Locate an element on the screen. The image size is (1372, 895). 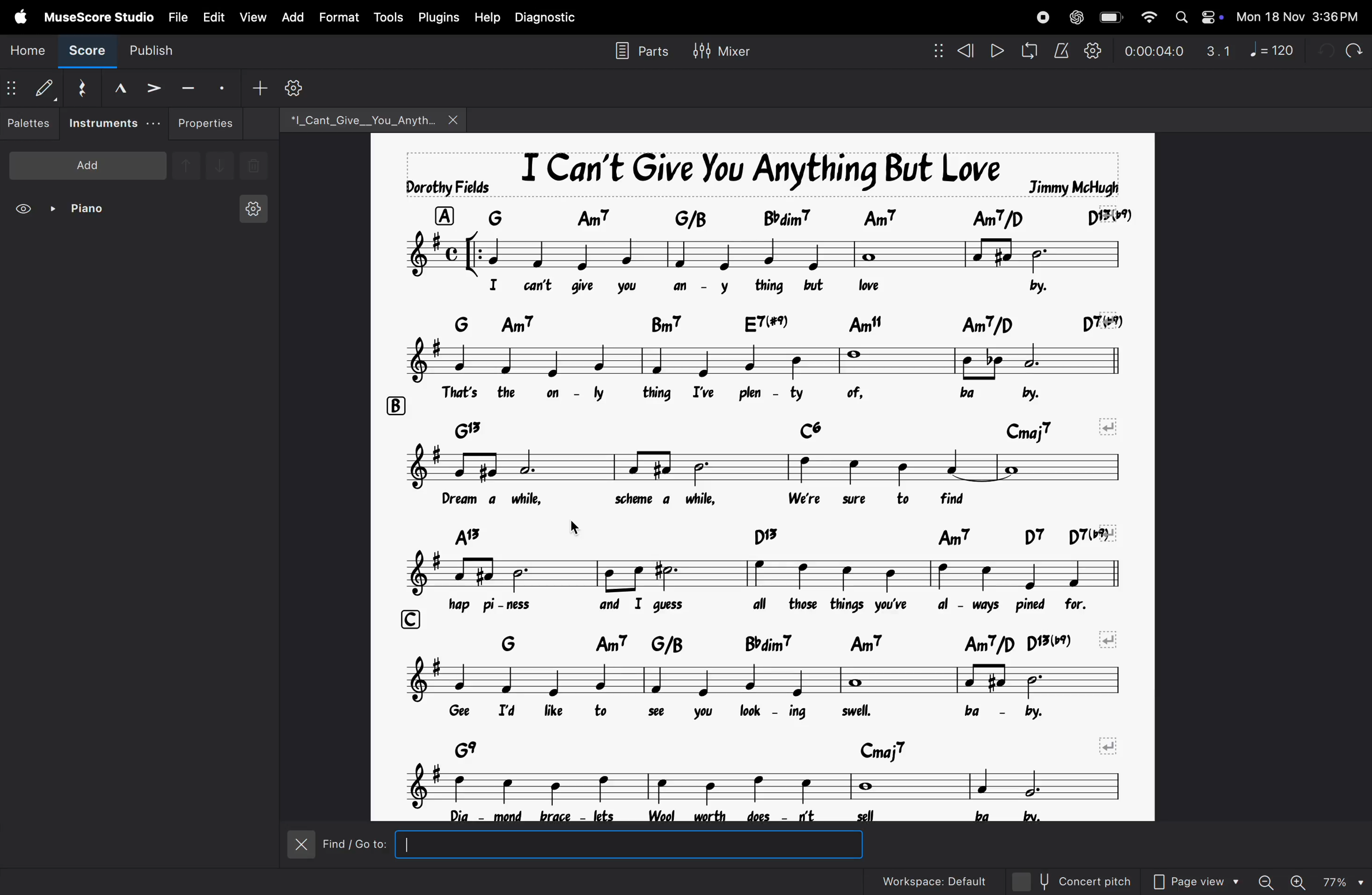
apple menu is located at coordinates (16, 17).